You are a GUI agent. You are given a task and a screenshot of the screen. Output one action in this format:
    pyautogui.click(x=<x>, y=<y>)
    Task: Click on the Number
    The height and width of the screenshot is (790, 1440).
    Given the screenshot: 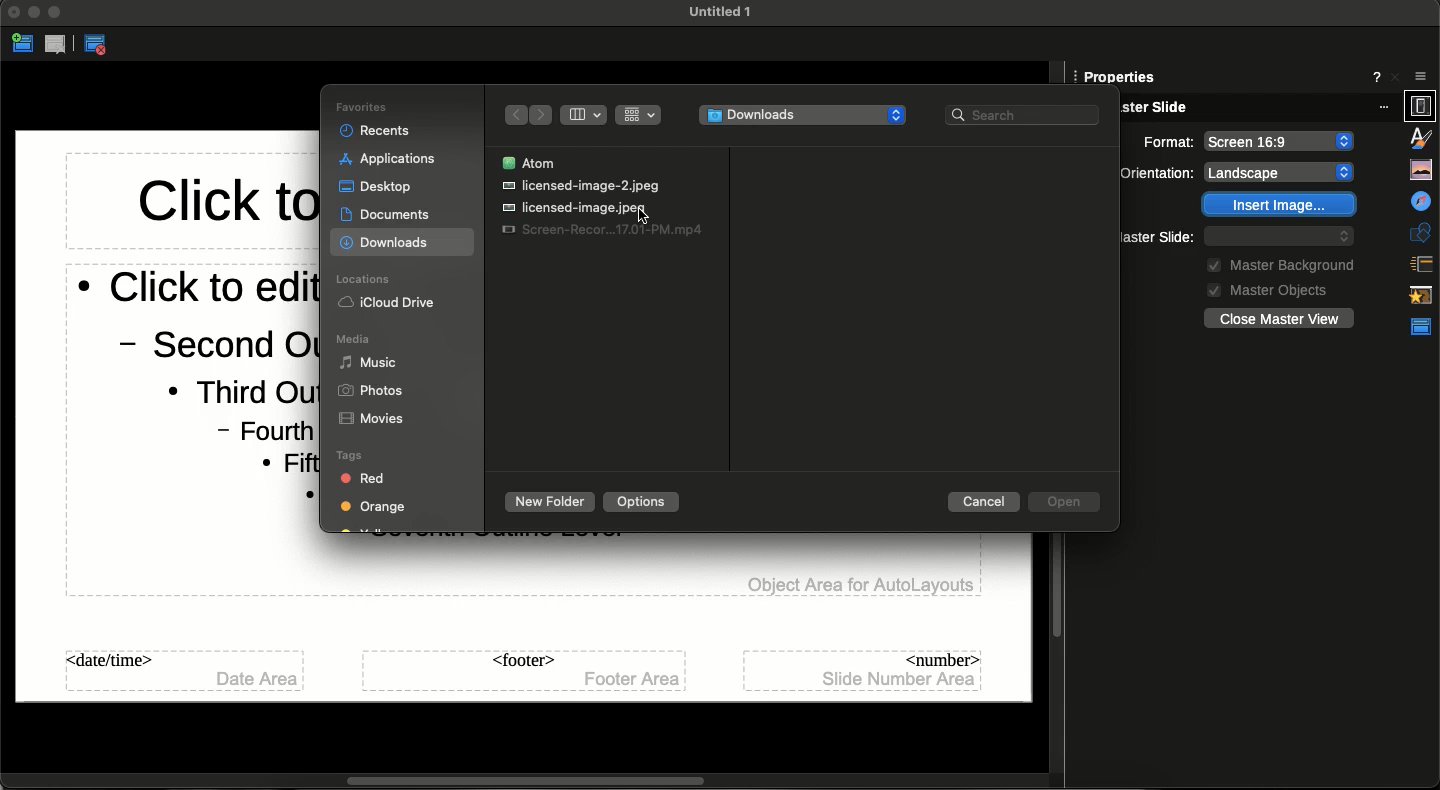 What is the action you would take?
    pyautogui.click(x=863, y=668)
    